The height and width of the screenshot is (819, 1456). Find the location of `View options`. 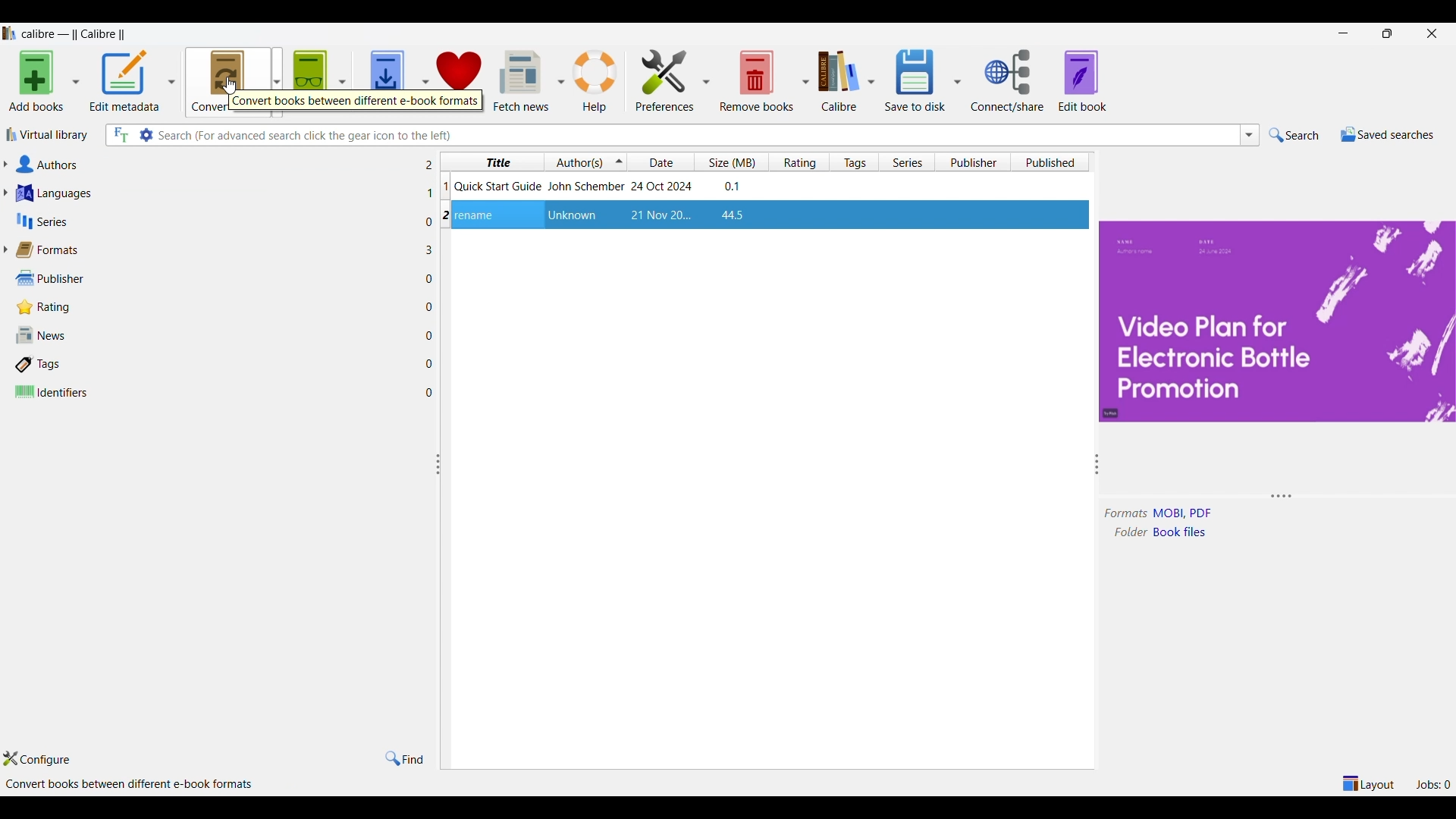

View options is located at coordinates (342, 80).